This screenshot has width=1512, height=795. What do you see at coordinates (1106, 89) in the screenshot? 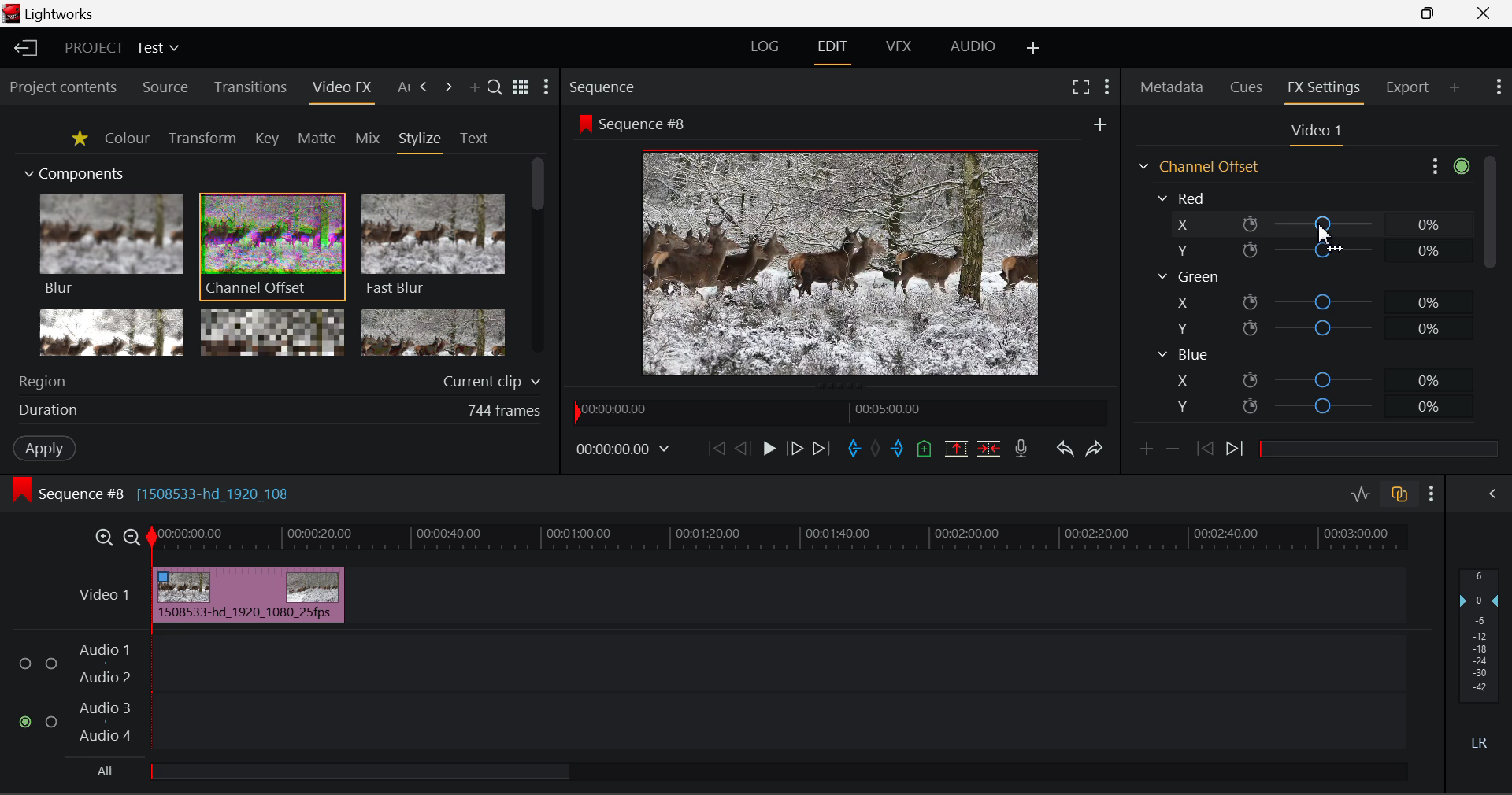
I see `Show Settings` at bounding box center [1106, 89].